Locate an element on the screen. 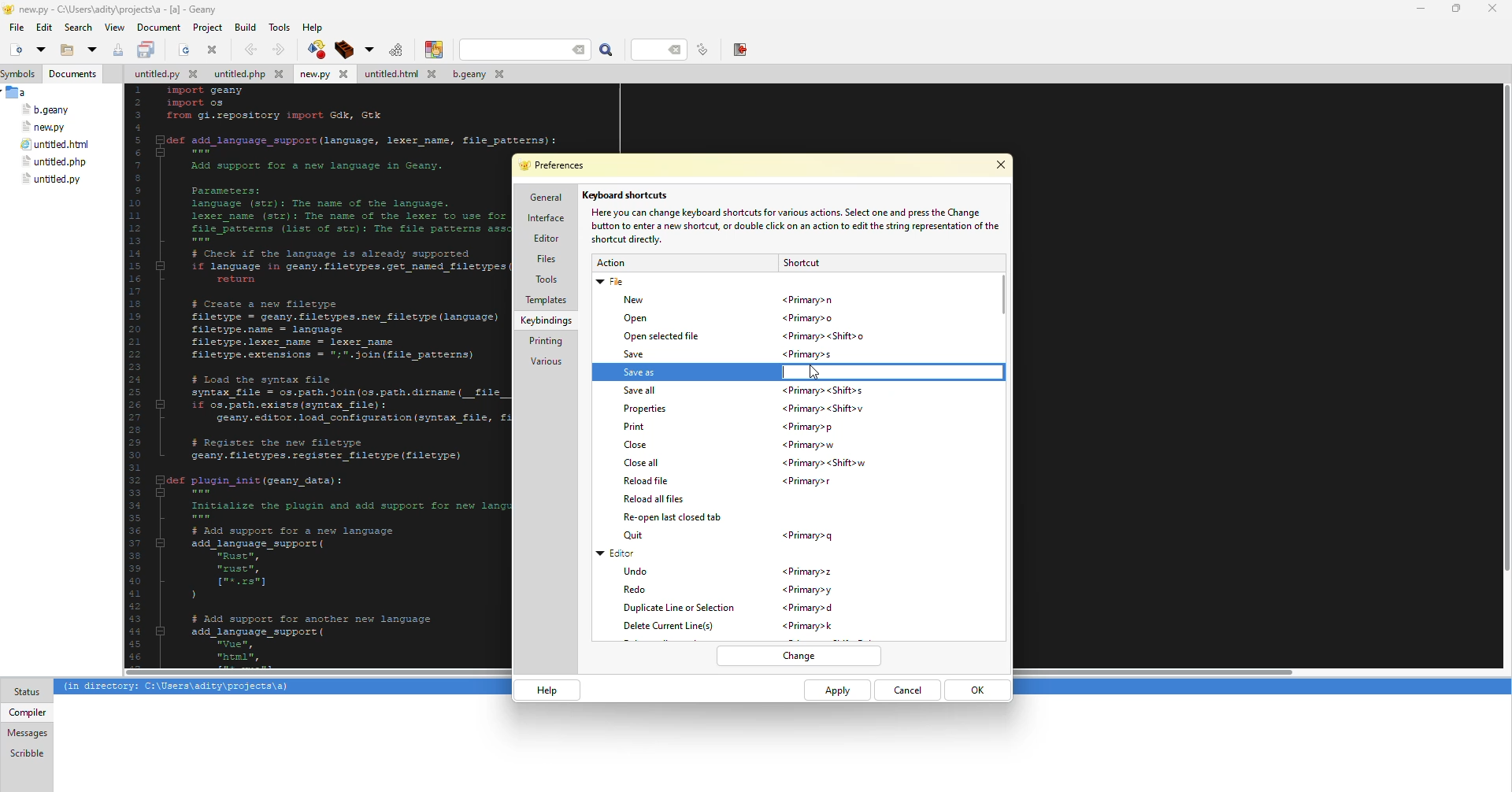  typing shortcut is located at coordinates (864, 372).